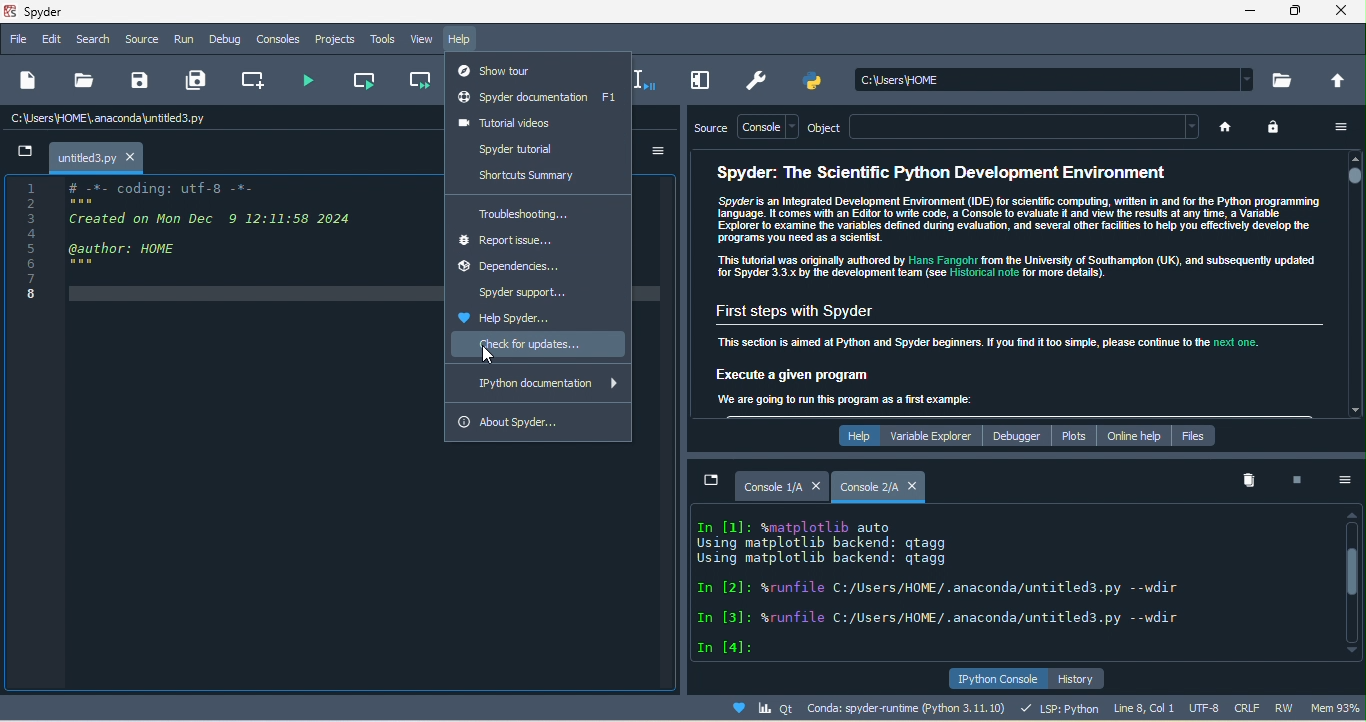 The image size is (1366, 722). Describe the element at coordinates (1231, 130) in the screenshot. I see `home` at that location.